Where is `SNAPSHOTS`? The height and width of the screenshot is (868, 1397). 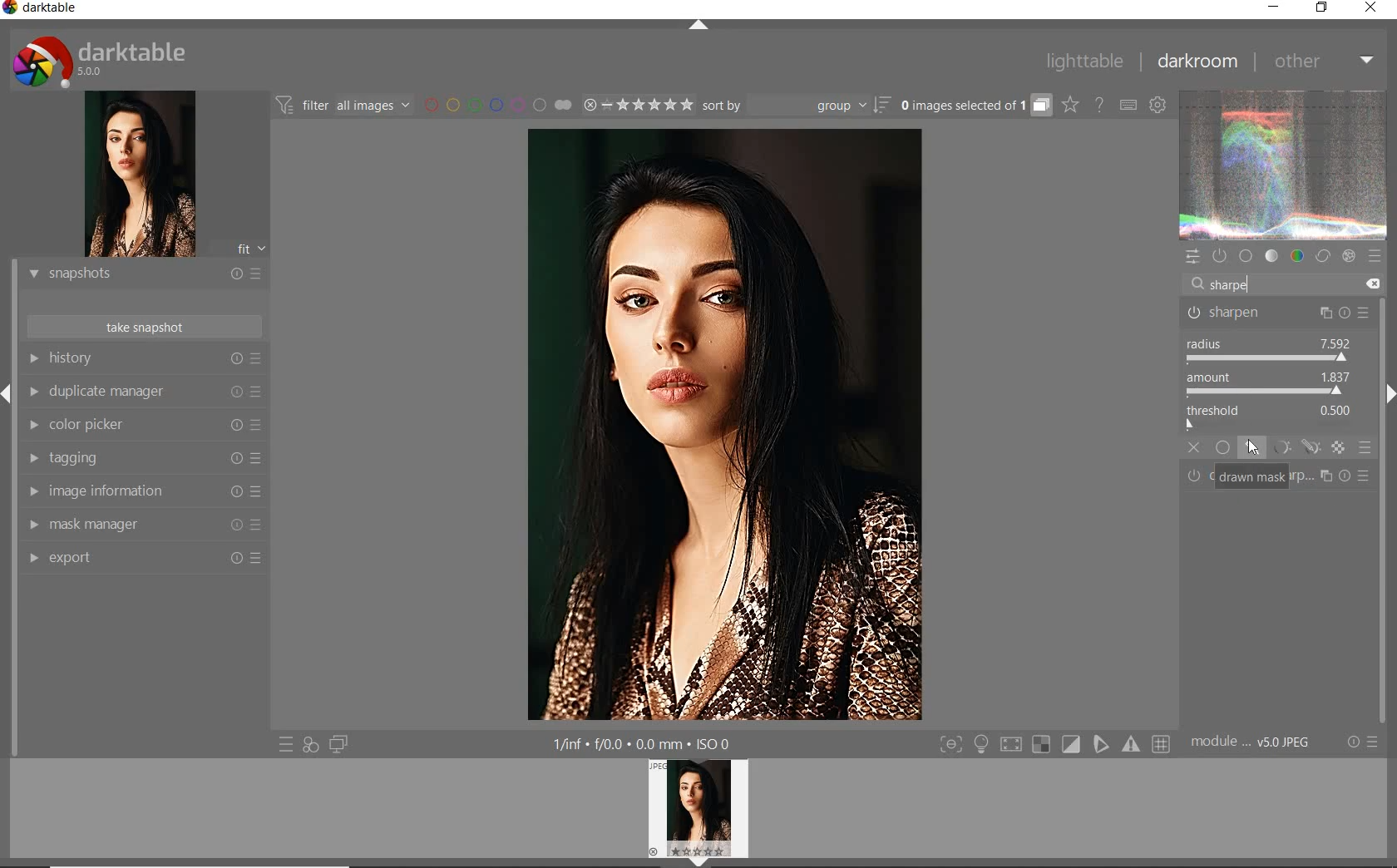
SNAPSHOTS is located at coordinates (141, 275).